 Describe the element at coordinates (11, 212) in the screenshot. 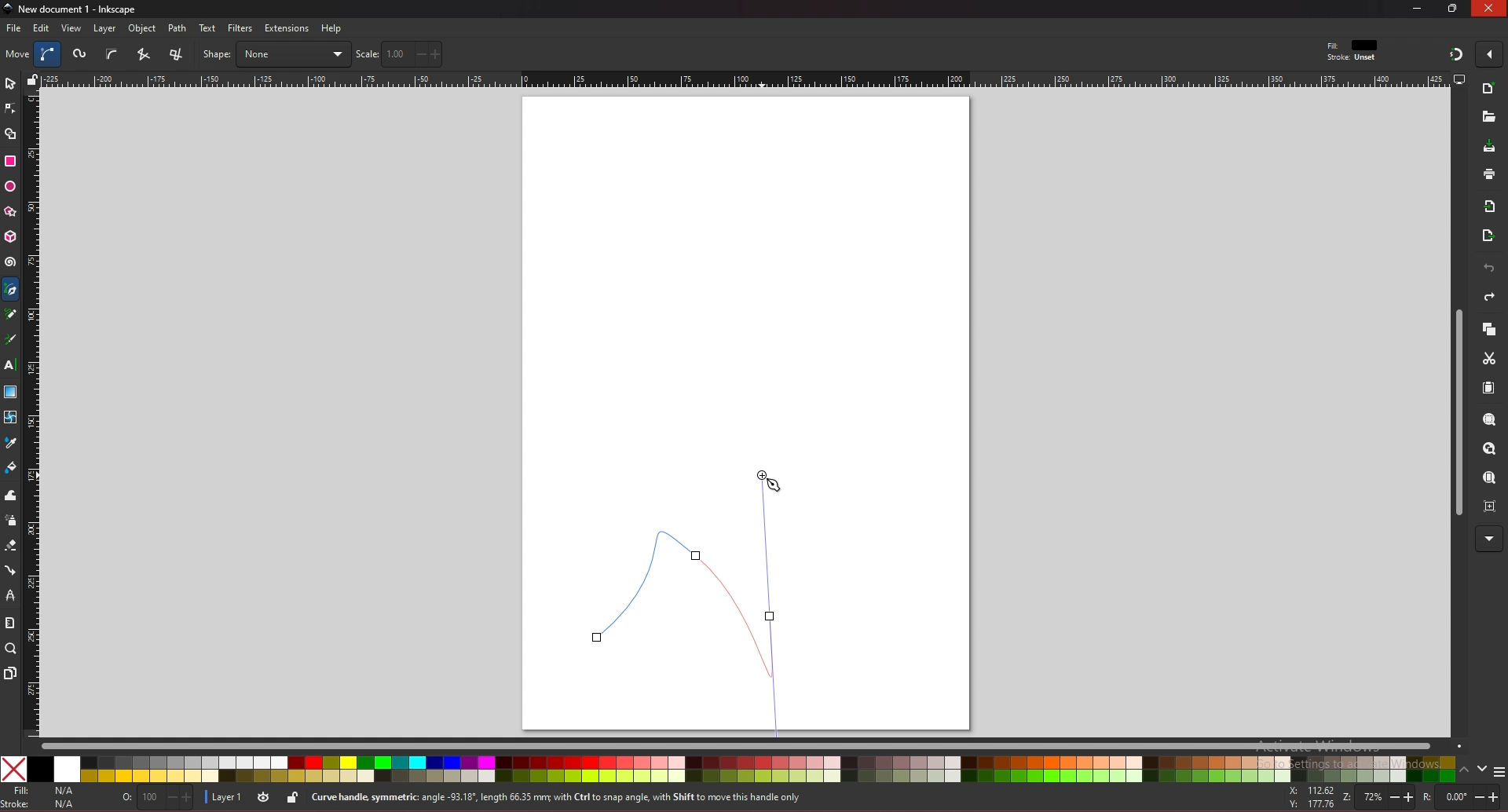

I see `stars and polygons` at that location.